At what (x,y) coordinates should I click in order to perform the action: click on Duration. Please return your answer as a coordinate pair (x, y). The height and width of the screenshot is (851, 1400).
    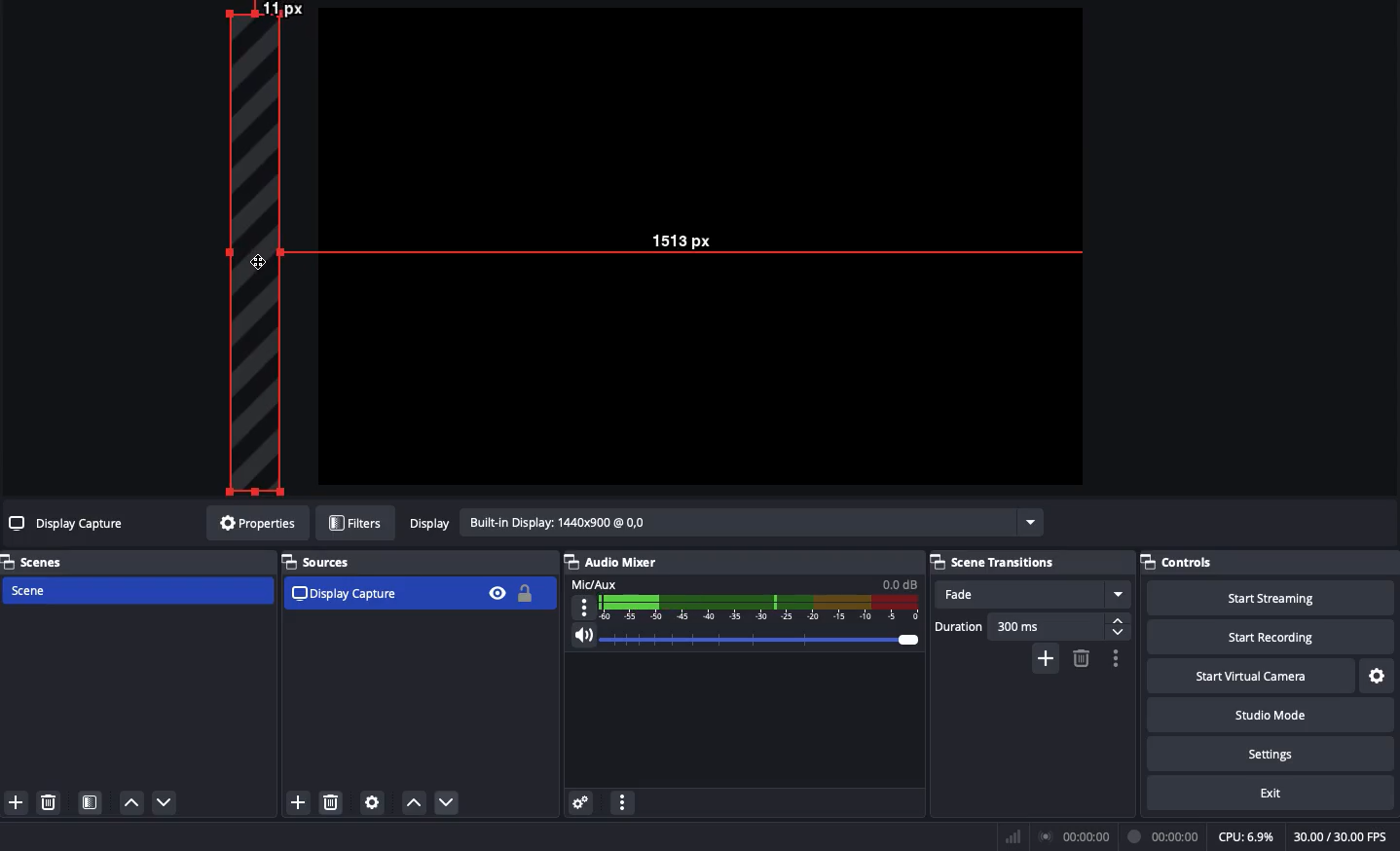
    Looking at the image, I should click on (1032, 629).